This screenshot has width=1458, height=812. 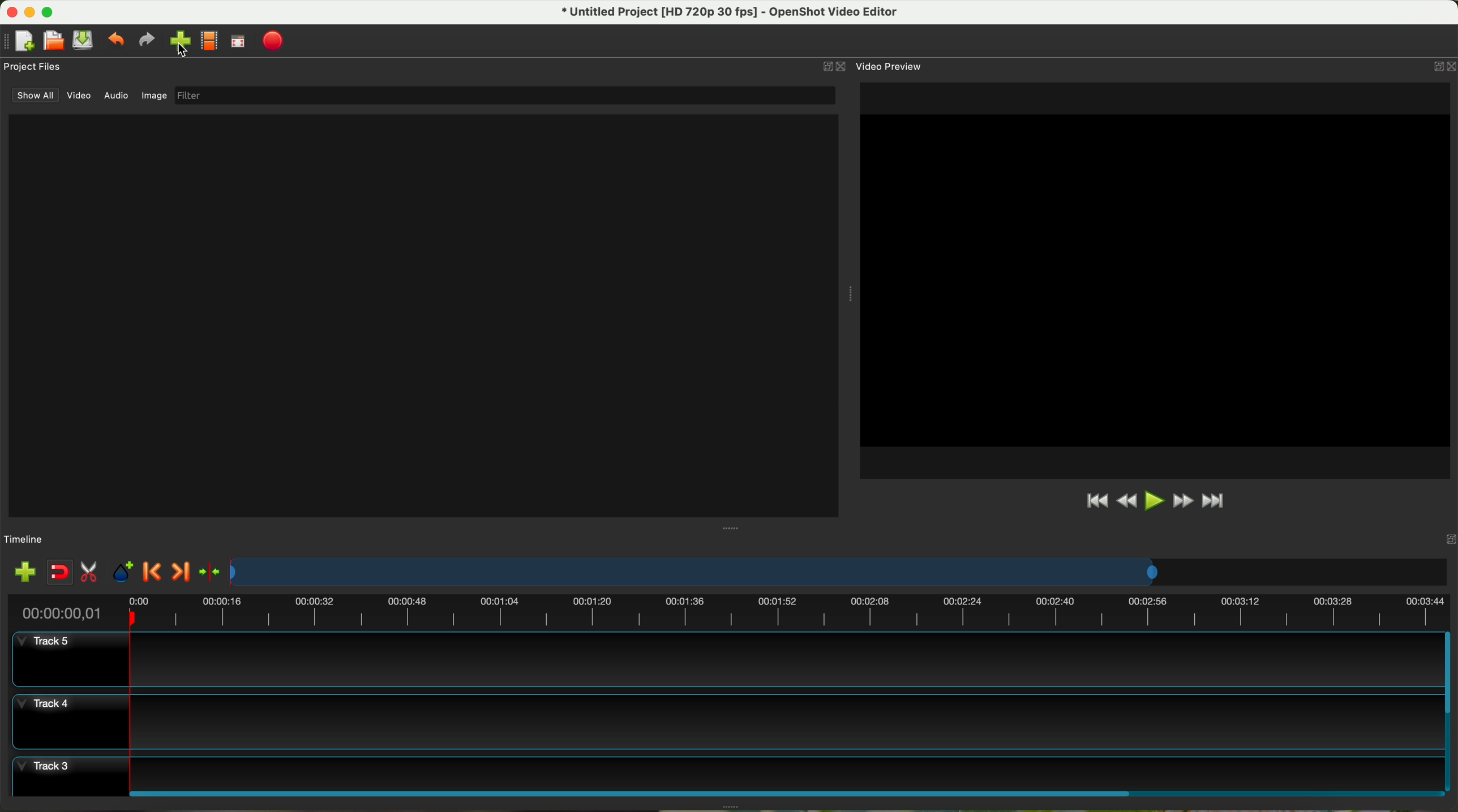 What do you see at coordinates (726, 771) in the screenshot?
I see `track 3` at bounding box center [726, 771].